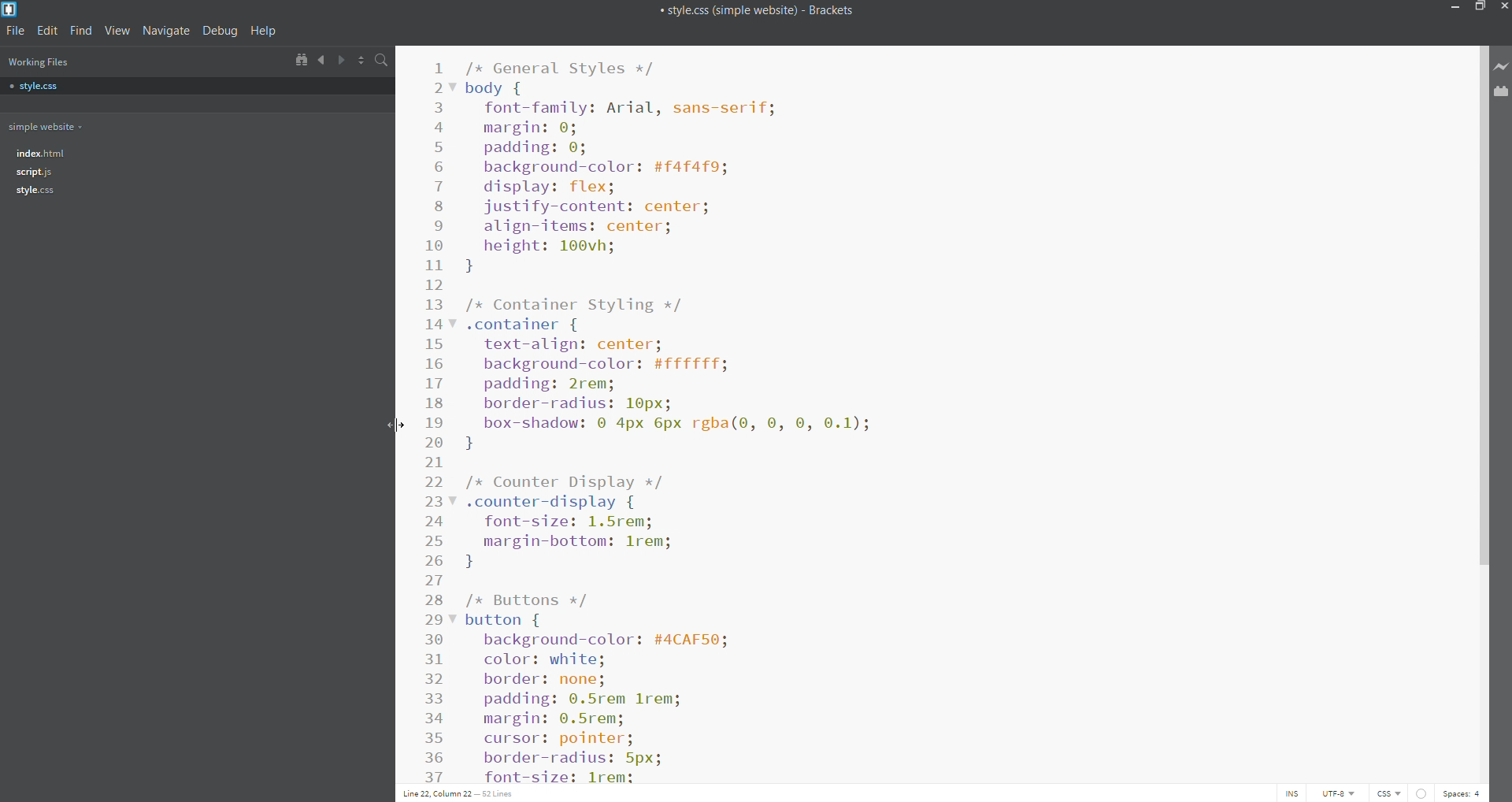 This screenshot has width=1512, height=802. What do you see at coordinates (117, 32) in the screenshot?
I see `view` at bounding box center [117, 32].